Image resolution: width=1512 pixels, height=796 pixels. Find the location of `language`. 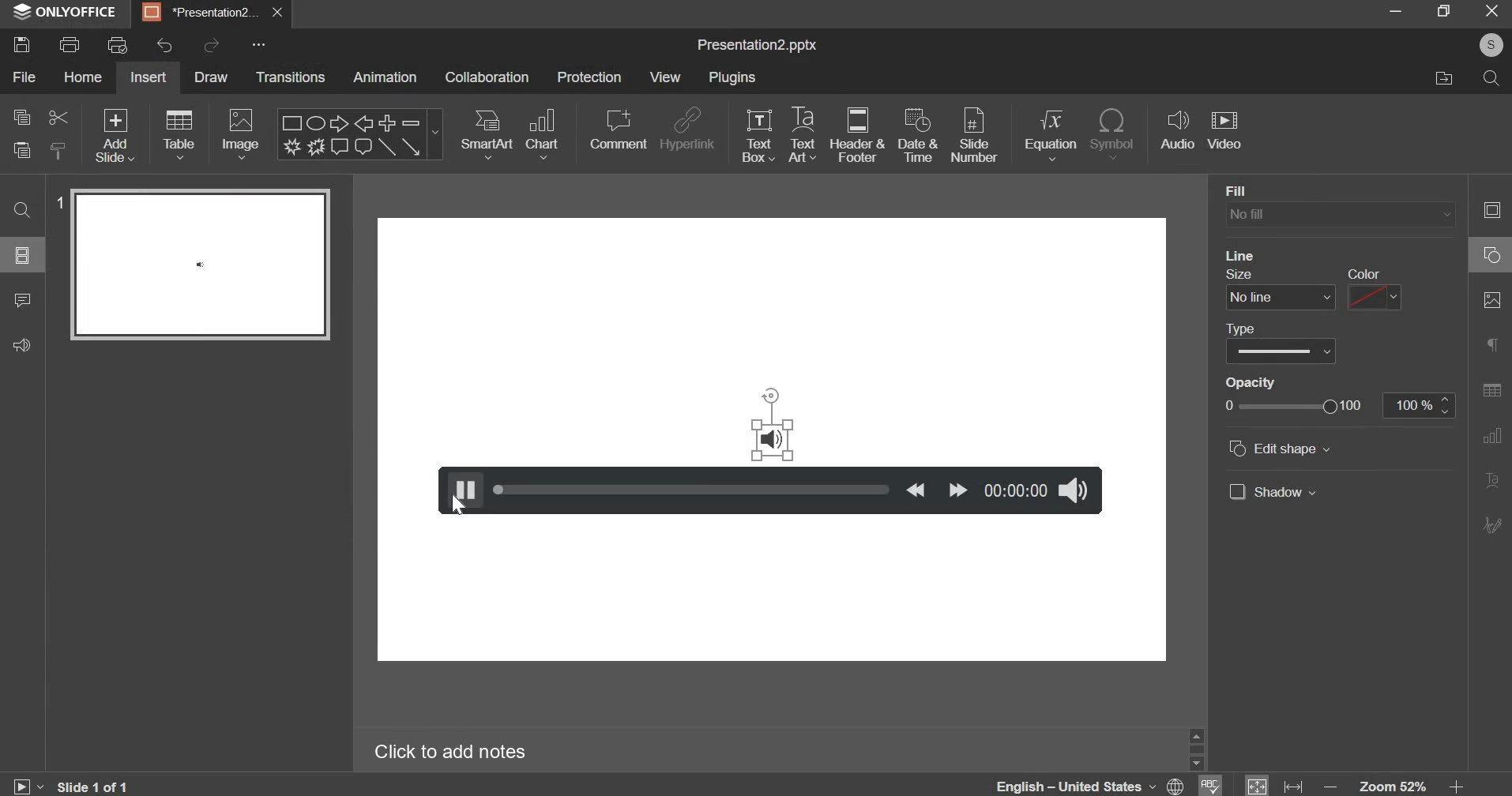

language is located at coordinates (1087, 785).